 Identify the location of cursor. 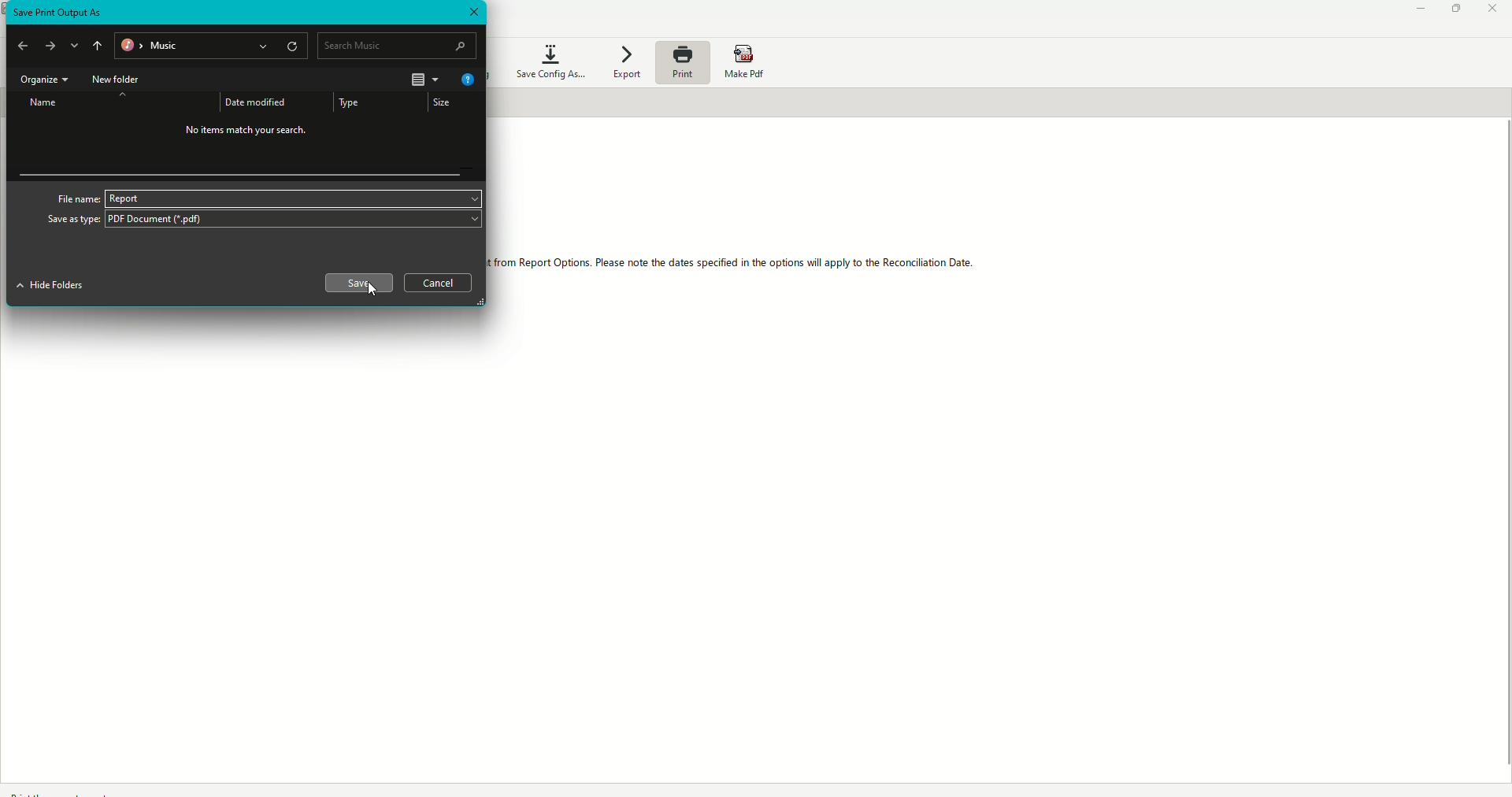
(372, 290).